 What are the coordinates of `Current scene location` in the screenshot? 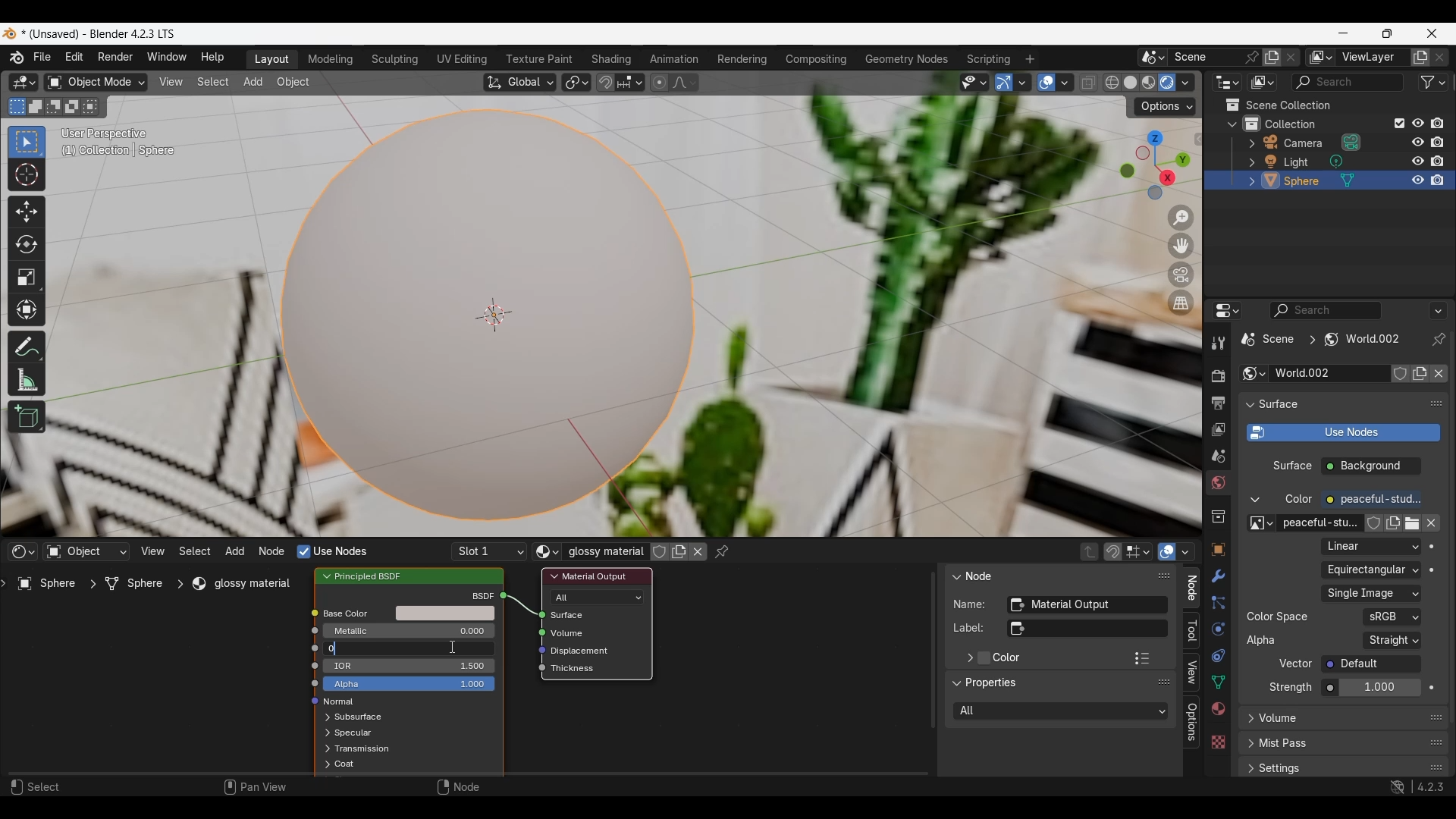 It's located at (1322, 339).